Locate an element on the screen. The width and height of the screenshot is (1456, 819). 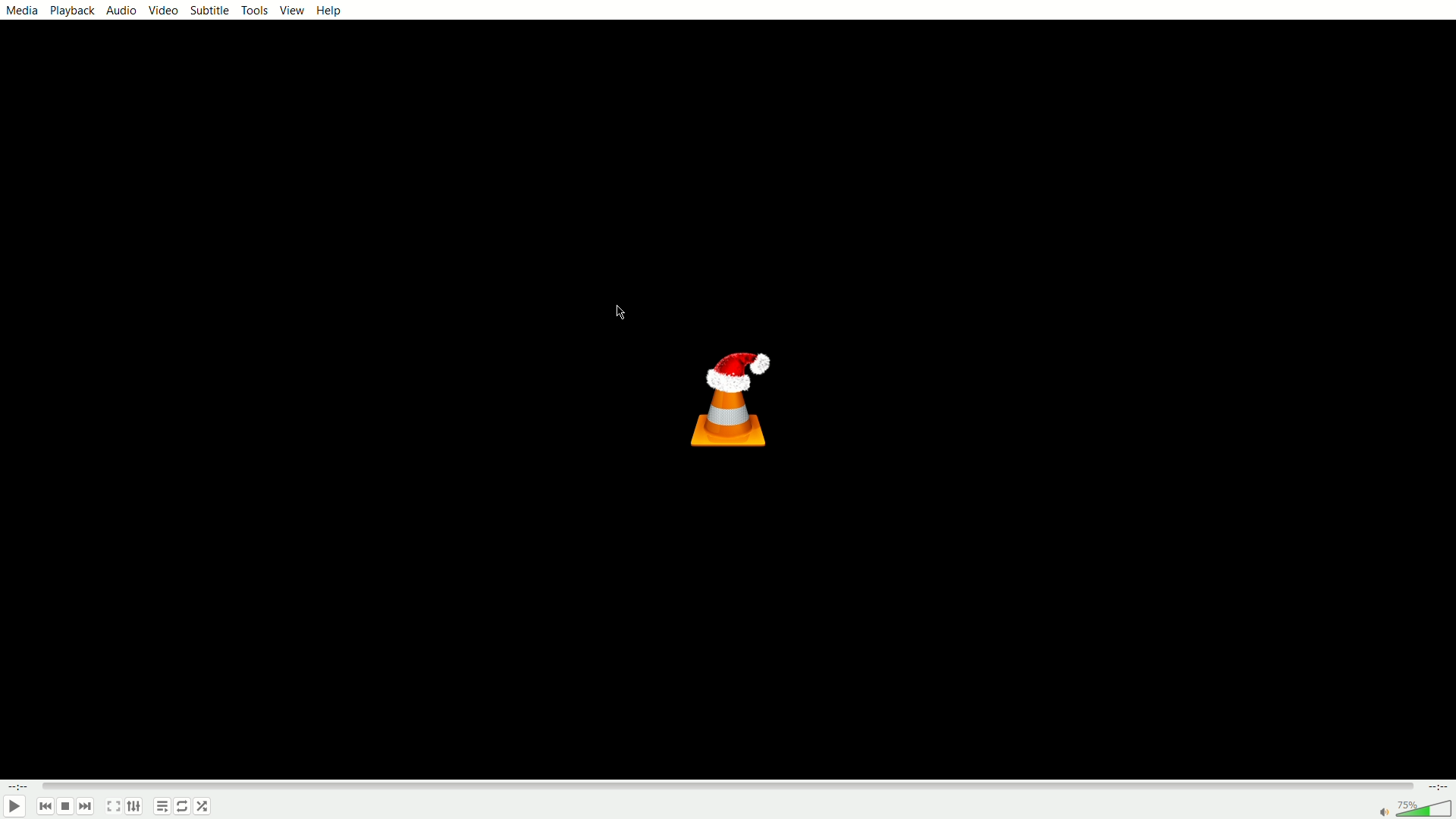
help is located at coordinates (328, 11).